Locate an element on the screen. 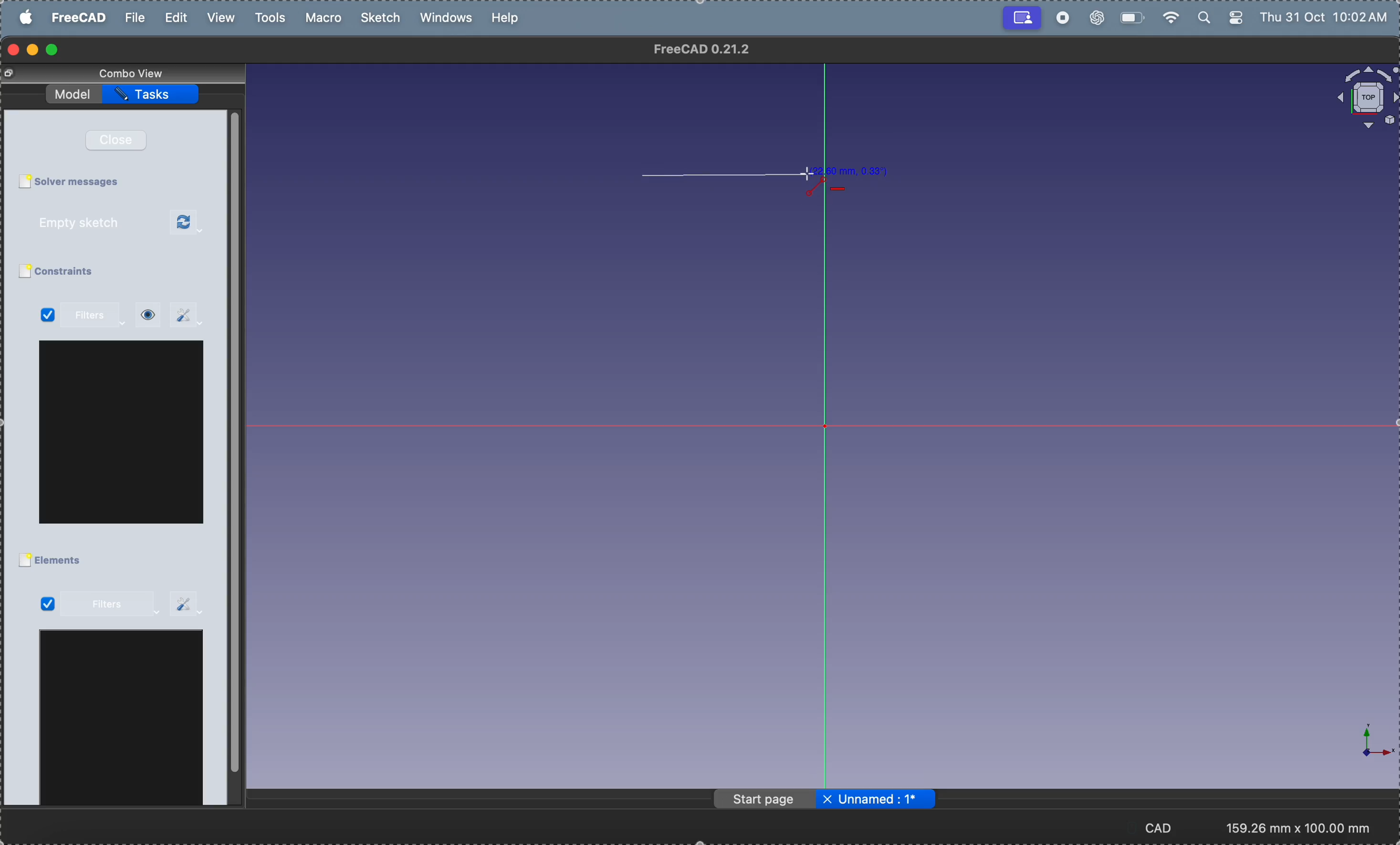  Checked Checkbox is located at coordinates (47, 604).